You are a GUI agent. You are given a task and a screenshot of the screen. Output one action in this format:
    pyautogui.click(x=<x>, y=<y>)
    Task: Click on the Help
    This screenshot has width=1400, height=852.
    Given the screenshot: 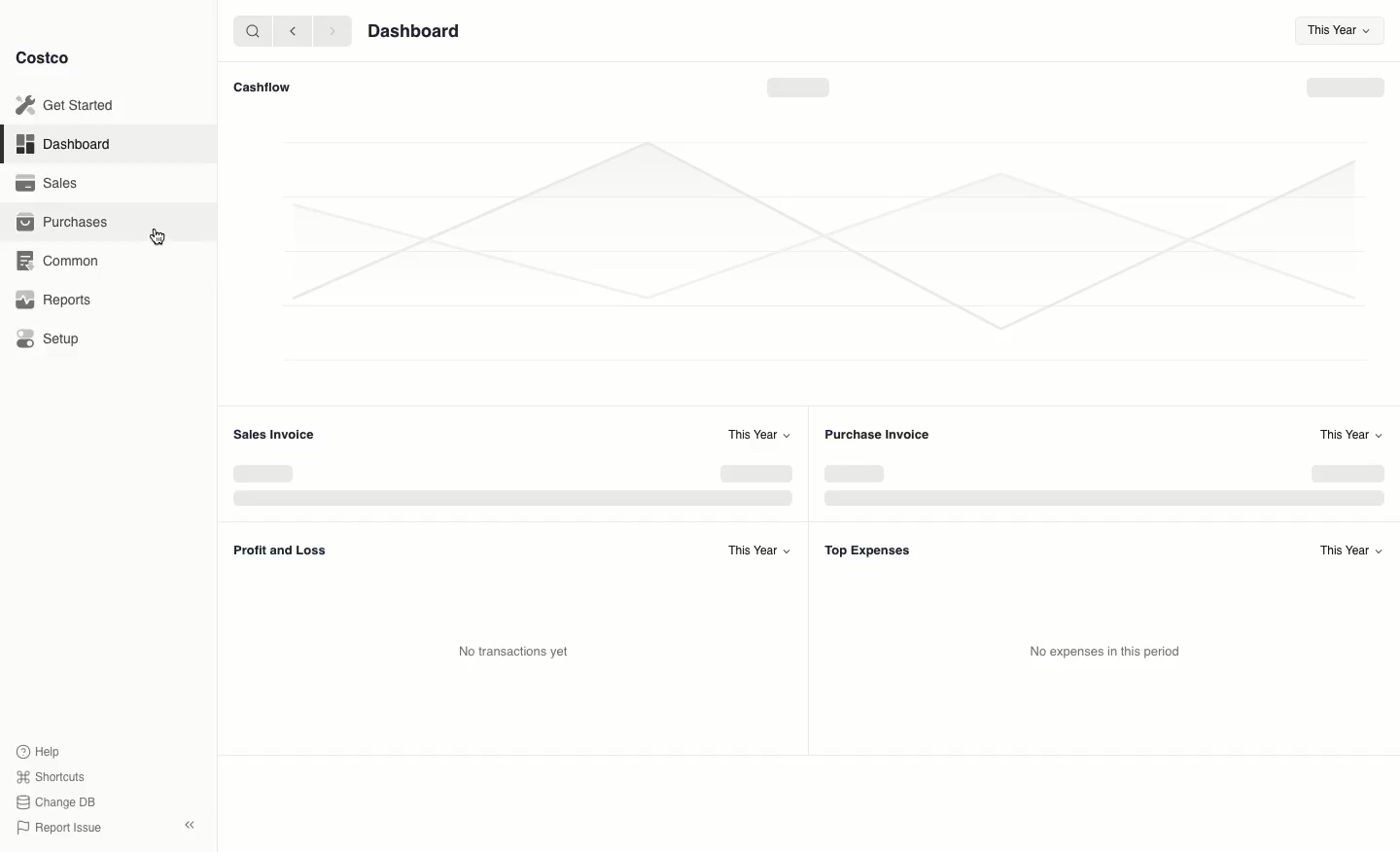 What is the action you would take?
    pyautogui.click(x=38, y=750)
    